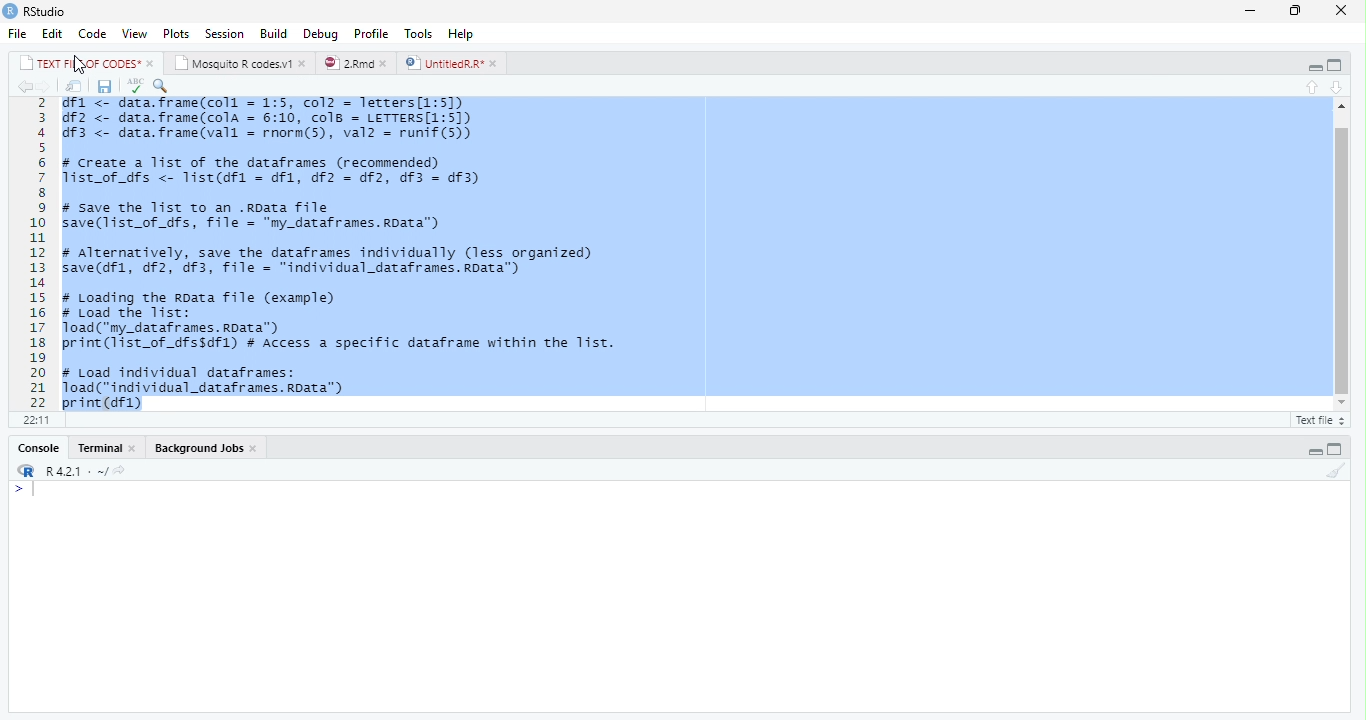 The height and width of the screenshot is (720, 1366). Describe the element at coordinates (37, 12) in the screenshot. I see `RStudio` at that location.